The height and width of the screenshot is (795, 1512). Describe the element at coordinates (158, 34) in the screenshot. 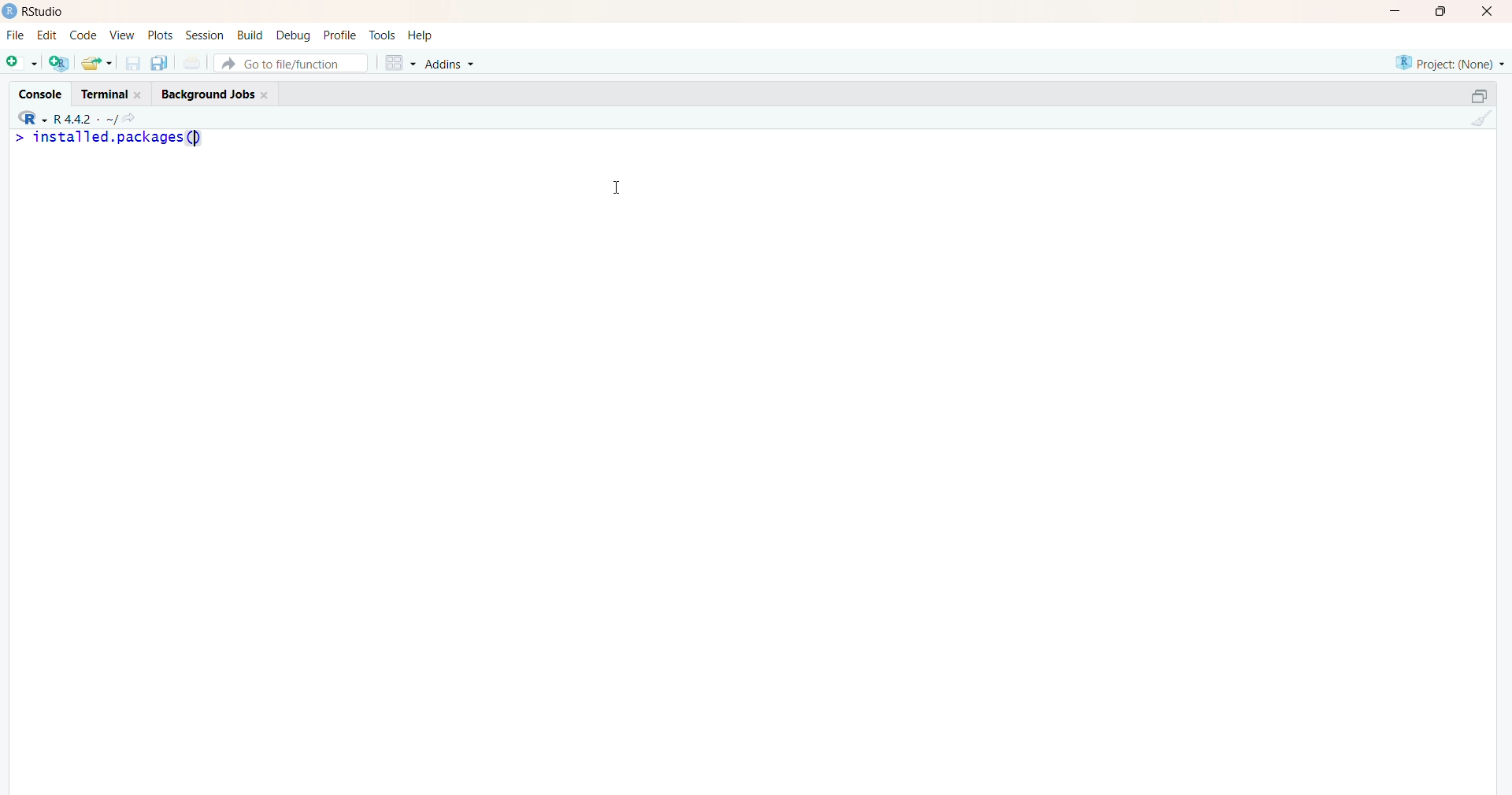

I see `plots` at that location.